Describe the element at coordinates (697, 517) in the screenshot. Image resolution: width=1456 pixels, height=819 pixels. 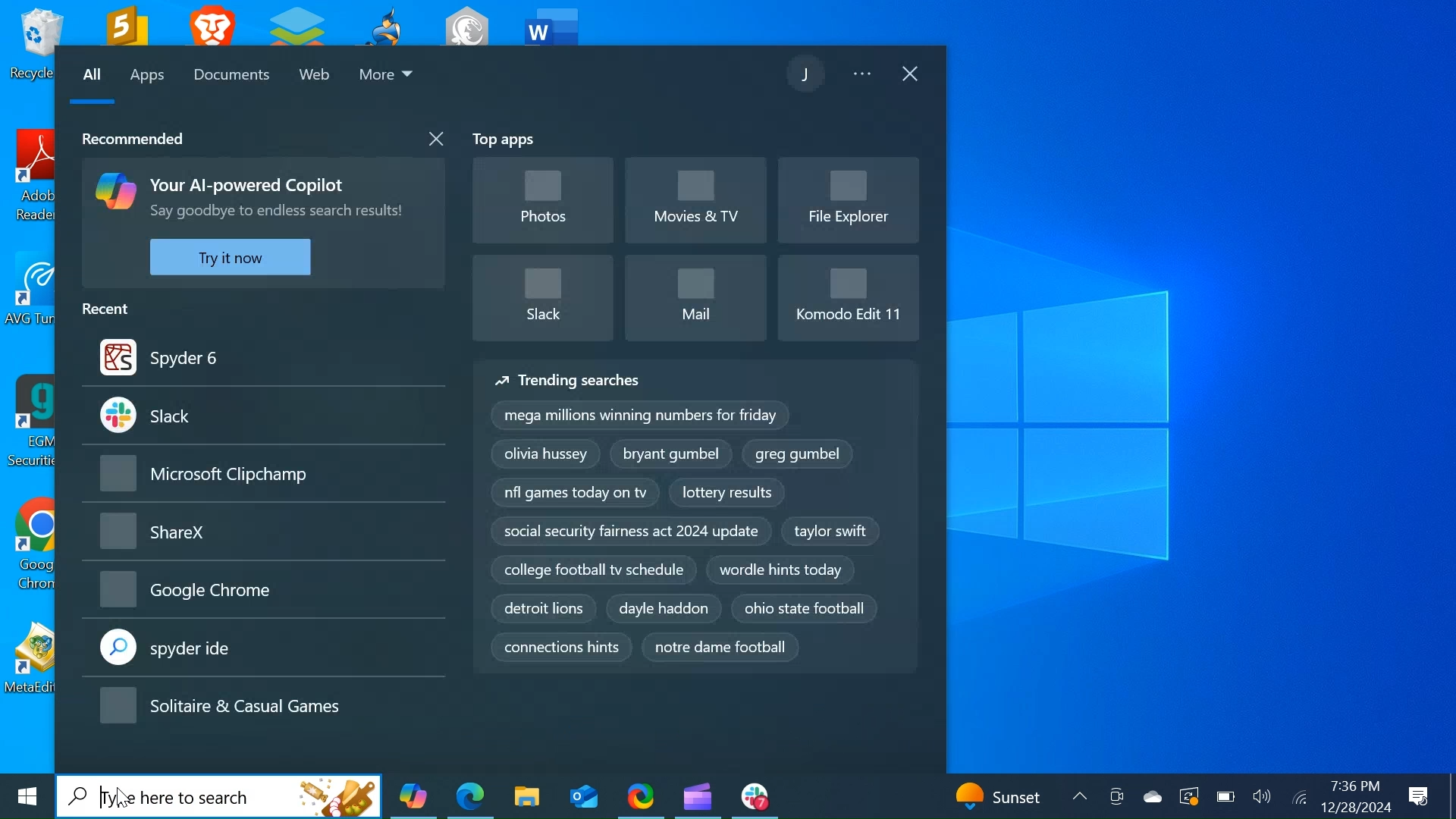
I see `Trending Searches` at that location.